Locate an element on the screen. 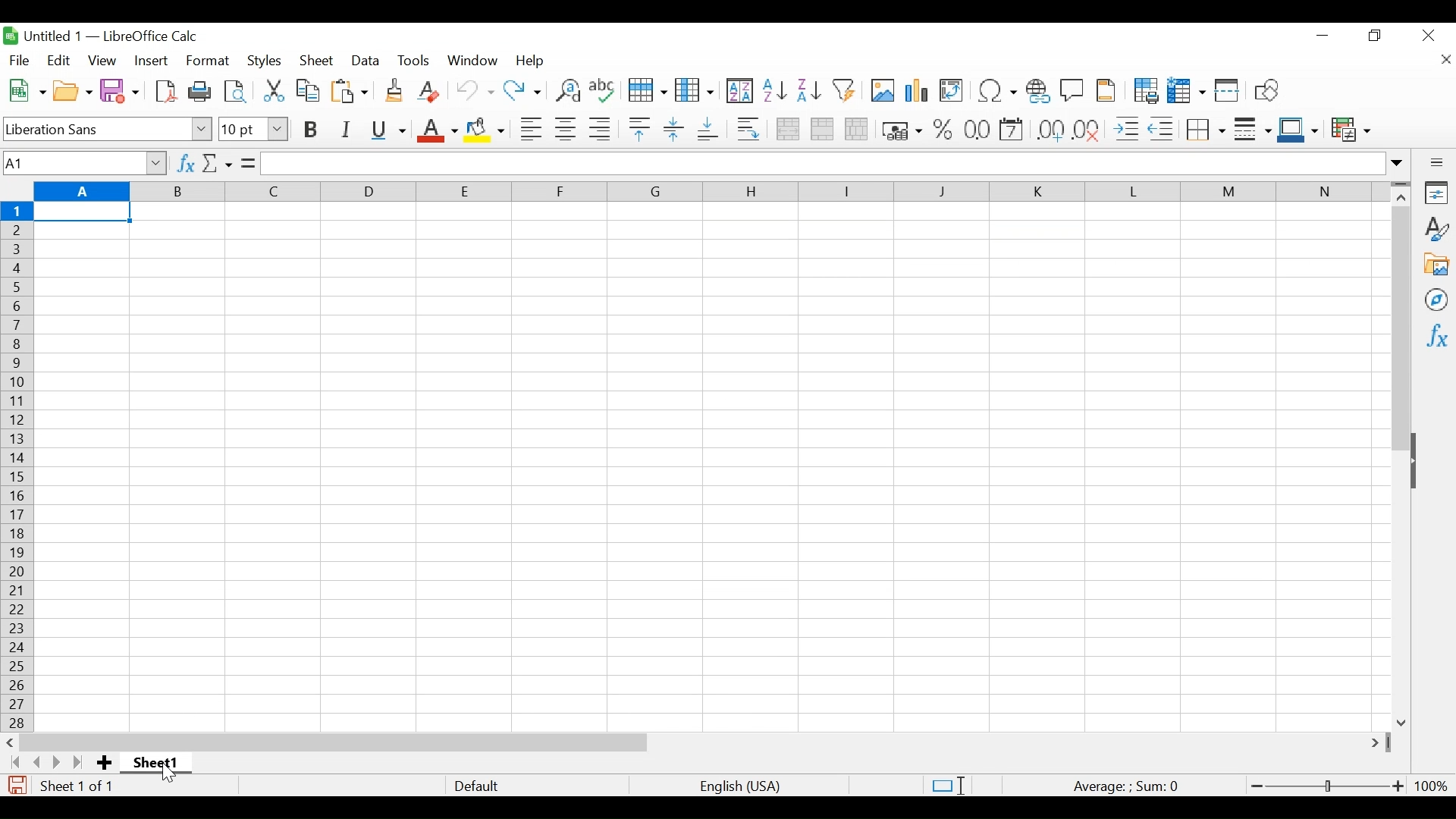 The width and height of the screenshot is (1456, 819). Format is located at coordinates (206, 61).